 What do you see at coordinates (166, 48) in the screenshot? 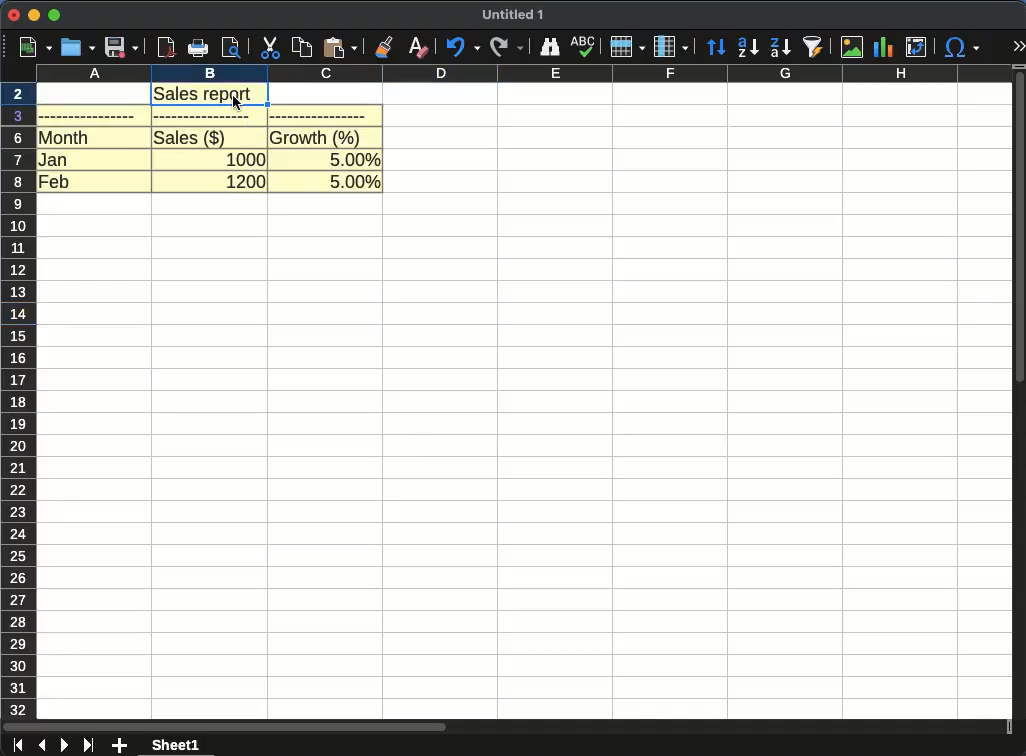
I see `pdf viewer` at bounding box center [166, 48].